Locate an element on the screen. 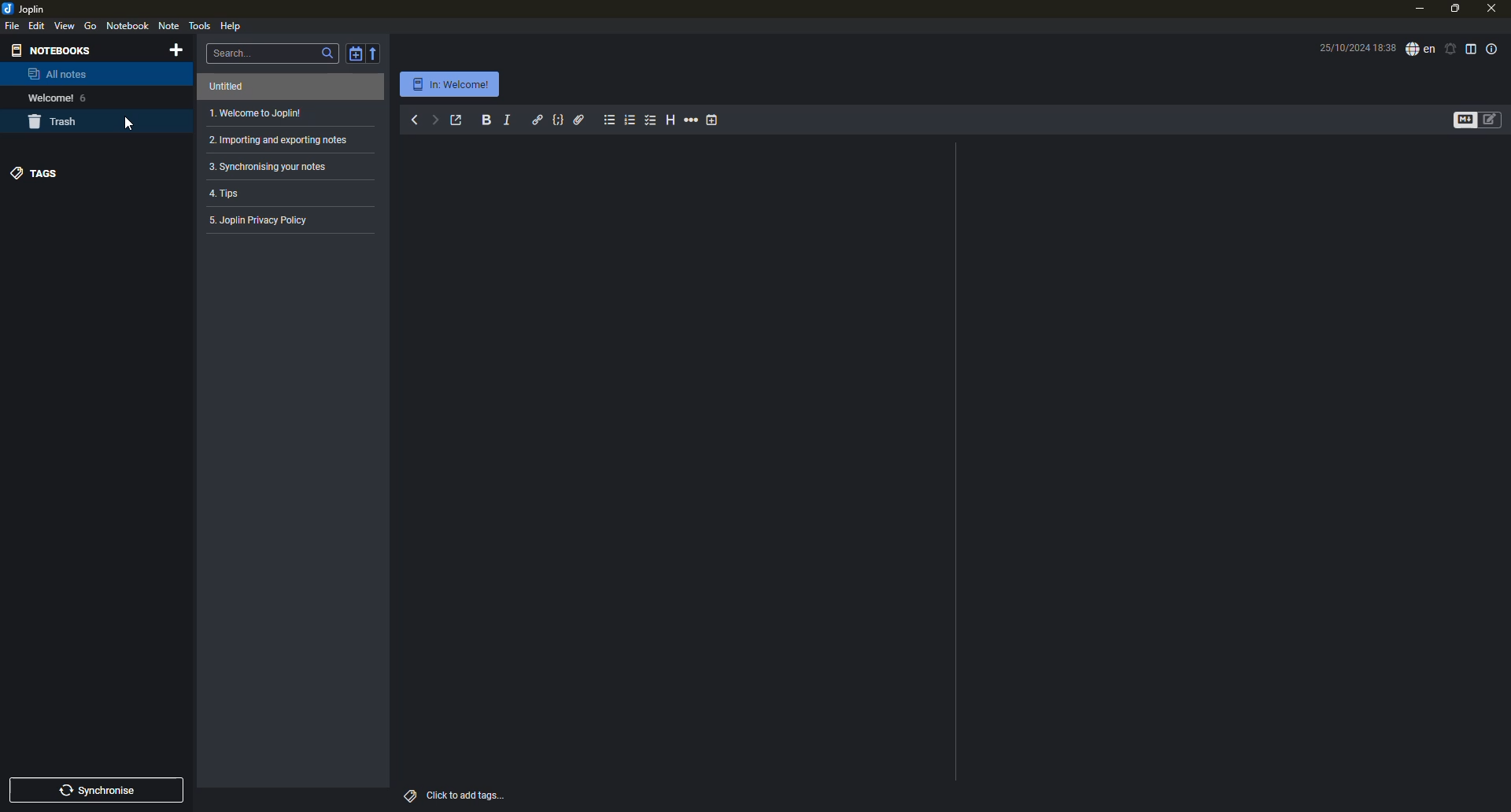 The height and width of the screenshot is (812, 1511). numbered list is located at coordinates (631, 120).